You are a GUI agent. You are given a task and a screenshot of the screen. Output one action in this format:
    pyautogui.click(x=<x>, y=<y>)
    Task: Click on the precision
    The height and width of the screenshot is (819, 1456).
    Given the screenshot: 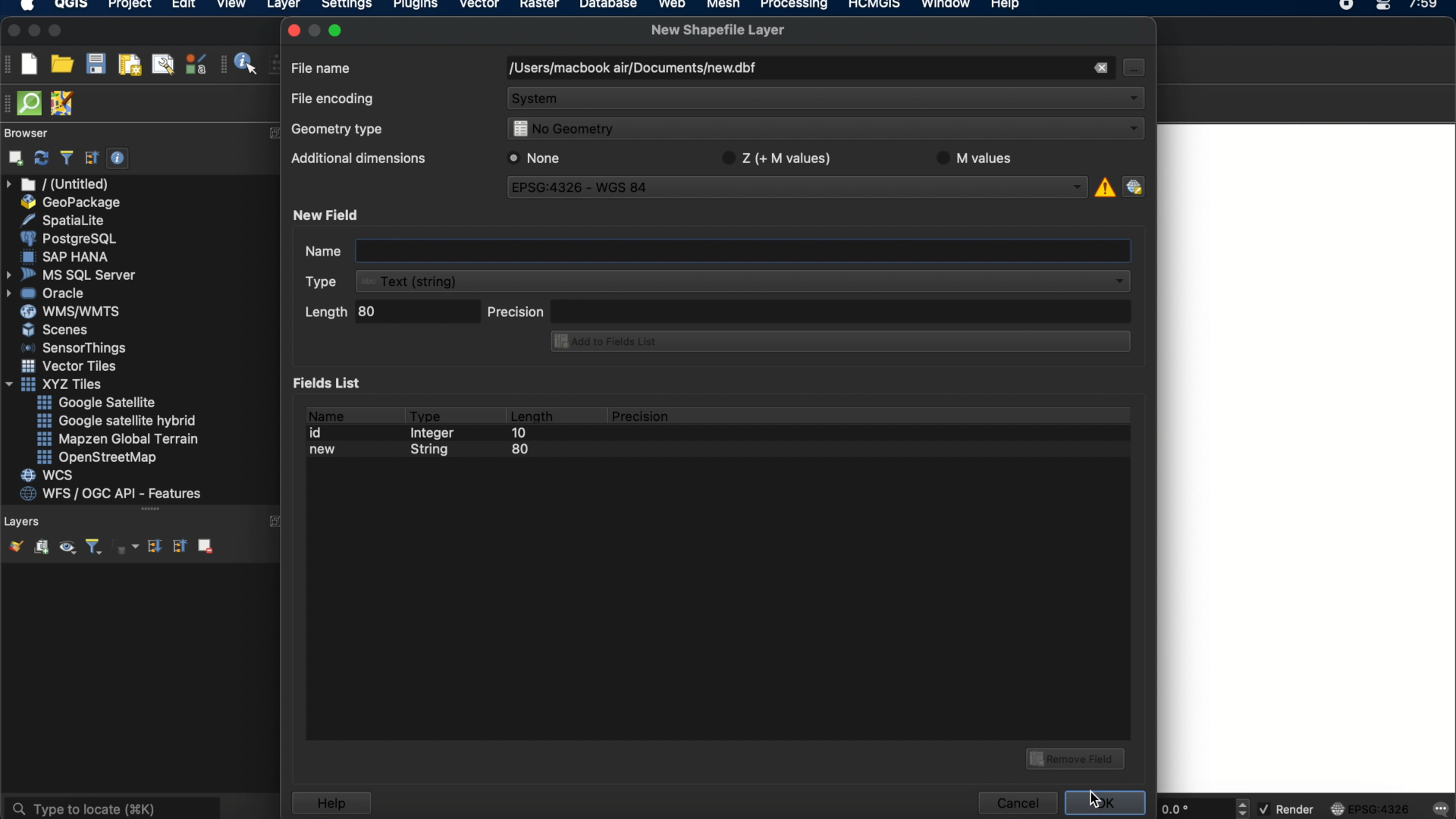 What is the action you would take?
    pyautogui.click(x=809, y=310)
    